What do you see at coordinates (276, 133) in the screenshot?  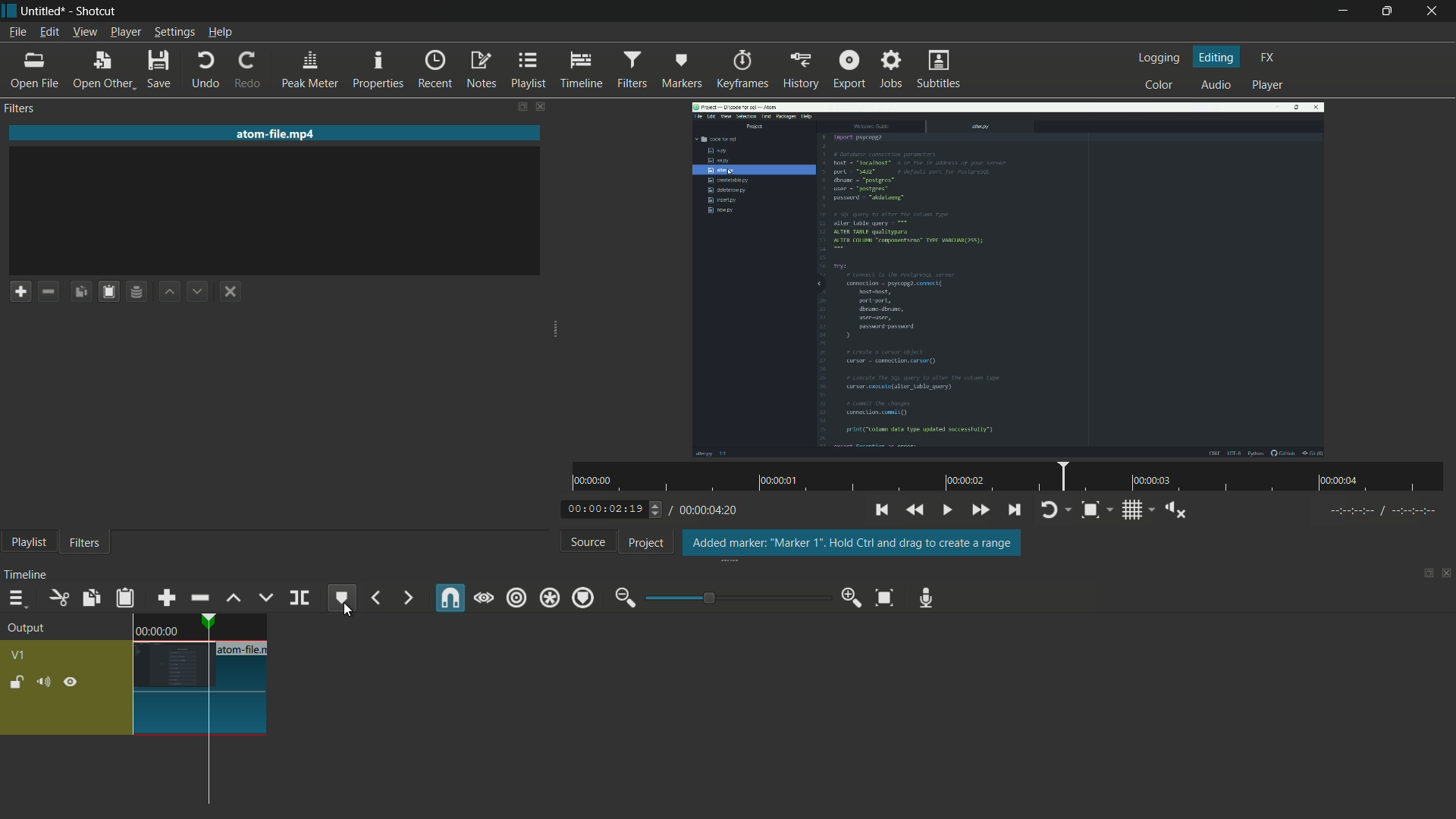 I see `imported file name` at bounding box center [276, 133].